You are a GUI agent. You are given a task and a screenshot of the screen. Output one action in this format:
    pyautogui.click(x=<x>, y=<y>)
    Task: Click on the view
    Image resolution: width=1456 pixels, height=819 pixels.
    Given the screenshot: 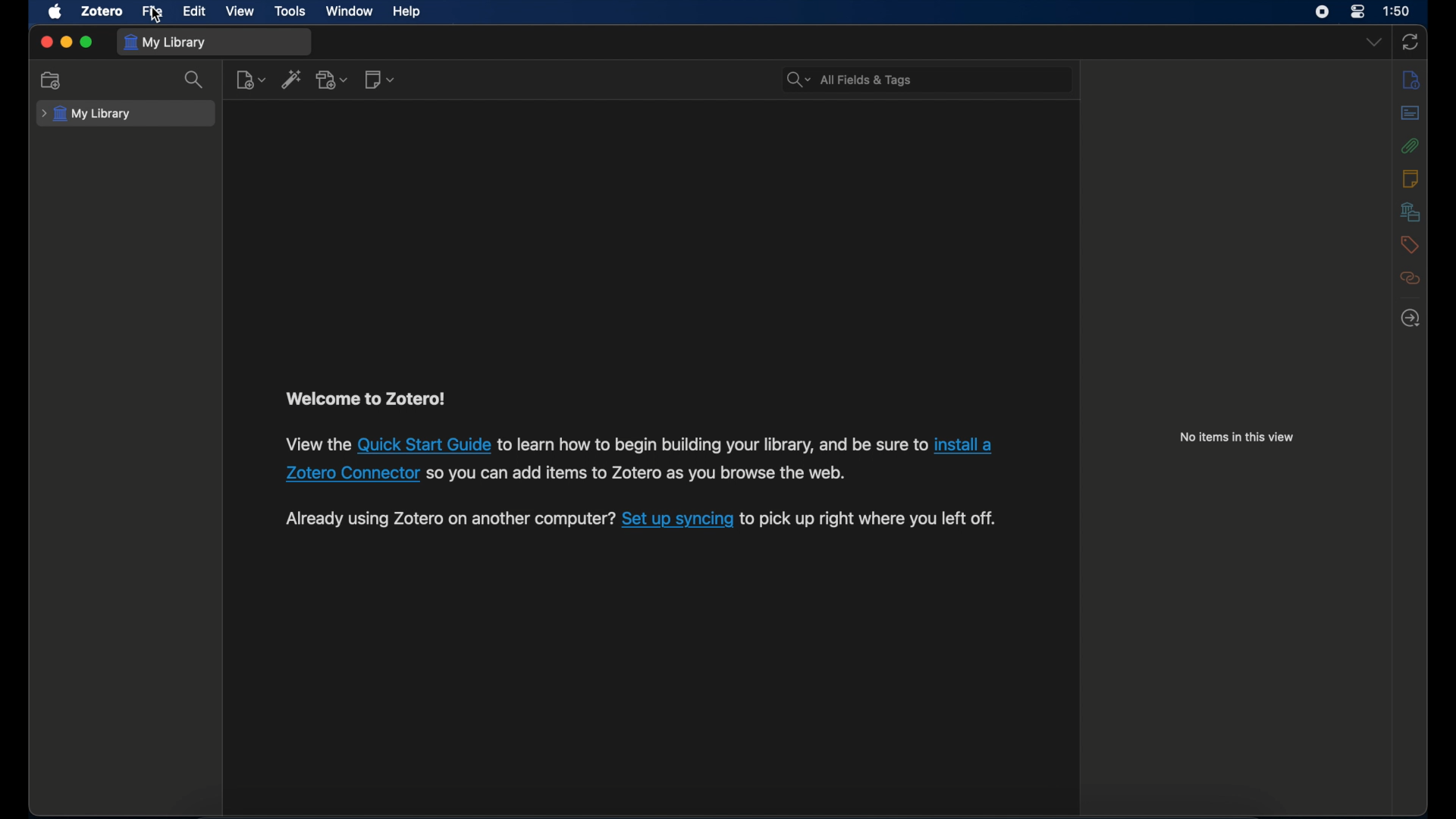 What is the action you would take?
    pyautogui.click(x=240, y=11)
    